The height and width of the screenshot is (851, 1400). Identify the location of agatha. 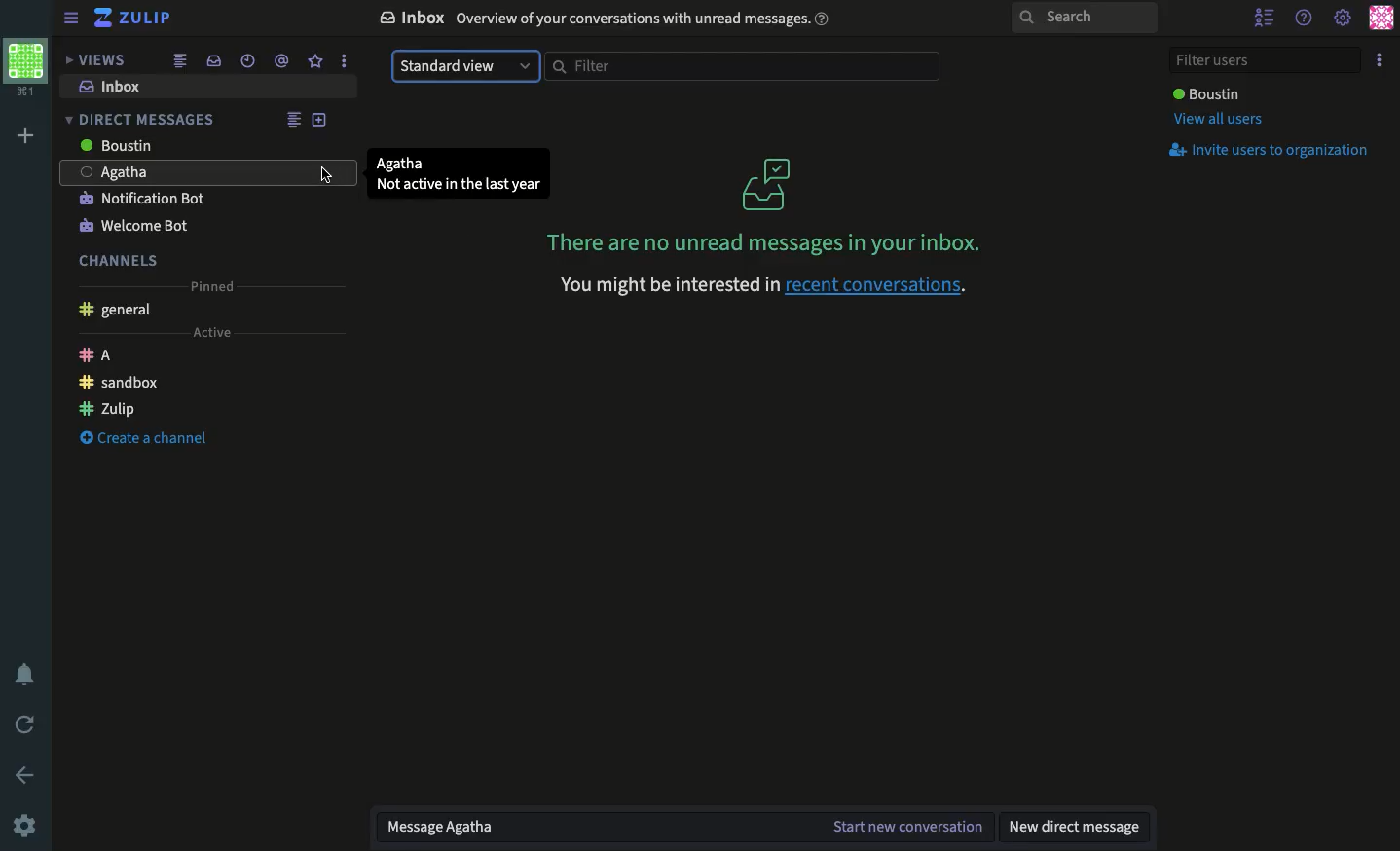
(195, 172).